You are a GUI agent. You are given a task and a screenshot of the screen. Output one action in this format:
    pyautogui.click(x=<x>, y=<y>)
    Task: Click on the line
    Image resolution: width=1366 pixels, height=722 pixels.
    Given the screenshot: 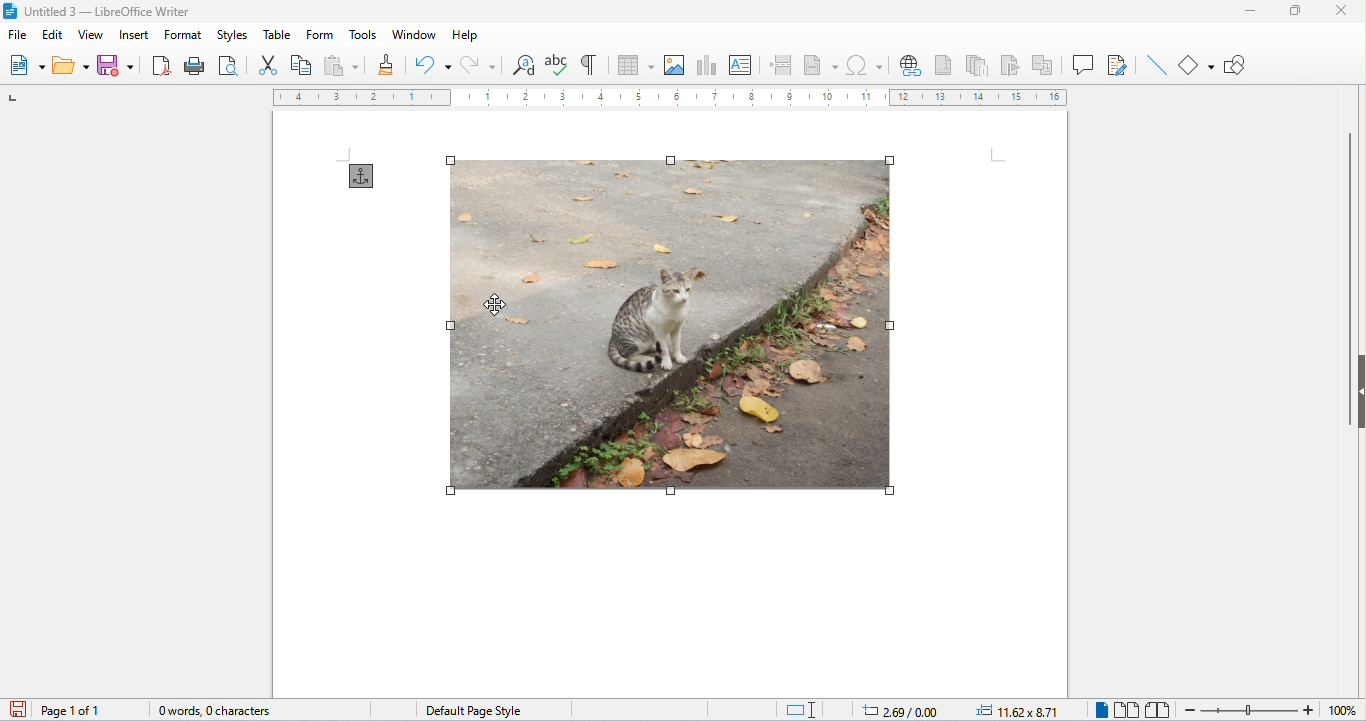 What is the action you would take?
    pyautogui.click(x=1155, y=65)
    